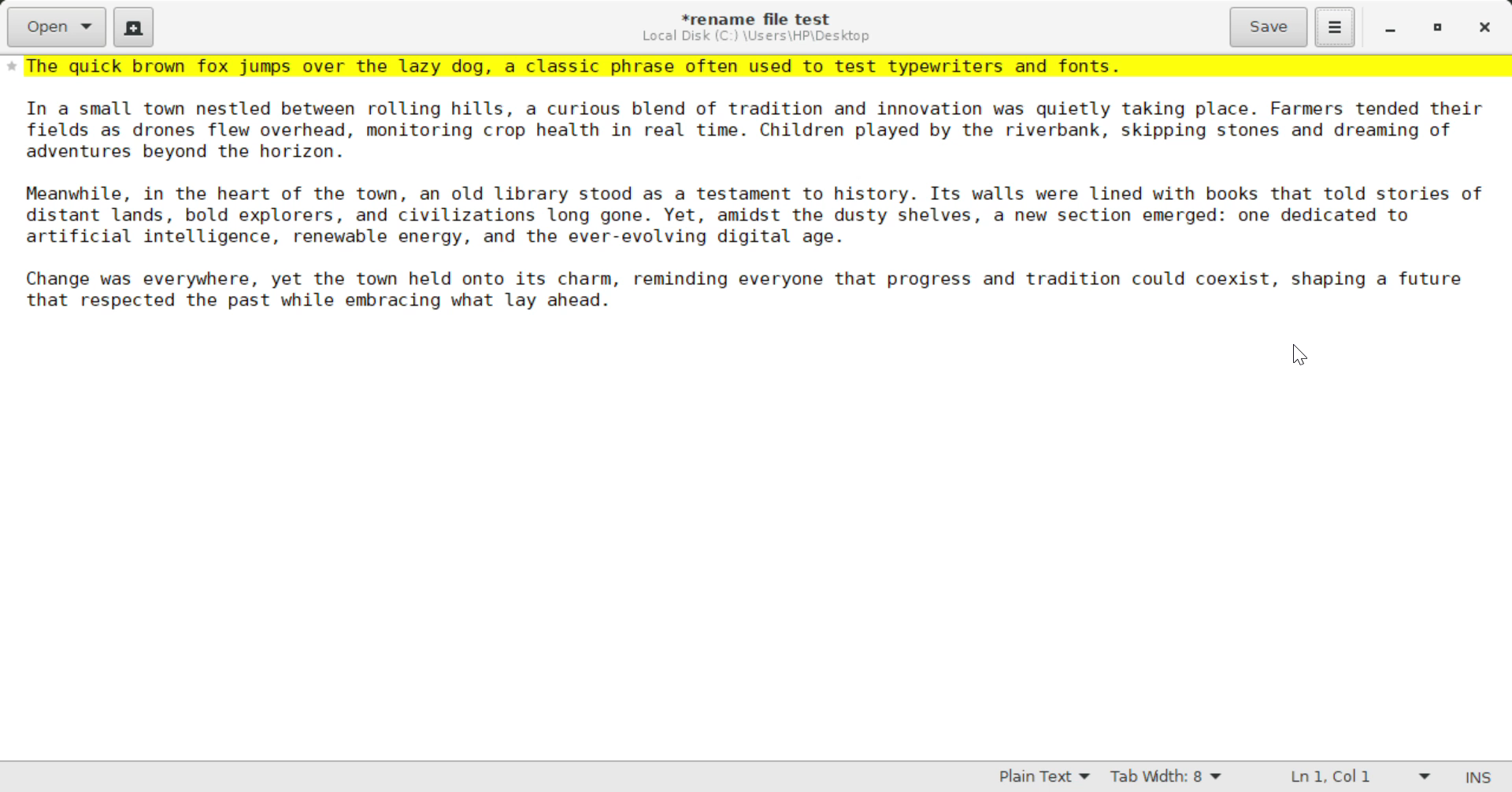  What do you see at coordinates (758, 67) in the screenshot?
I see `~The quick brown fox jumps over the lazy dog, a classic phrase often used to test typewriters and fonts.` at bounding box center [758, 67].